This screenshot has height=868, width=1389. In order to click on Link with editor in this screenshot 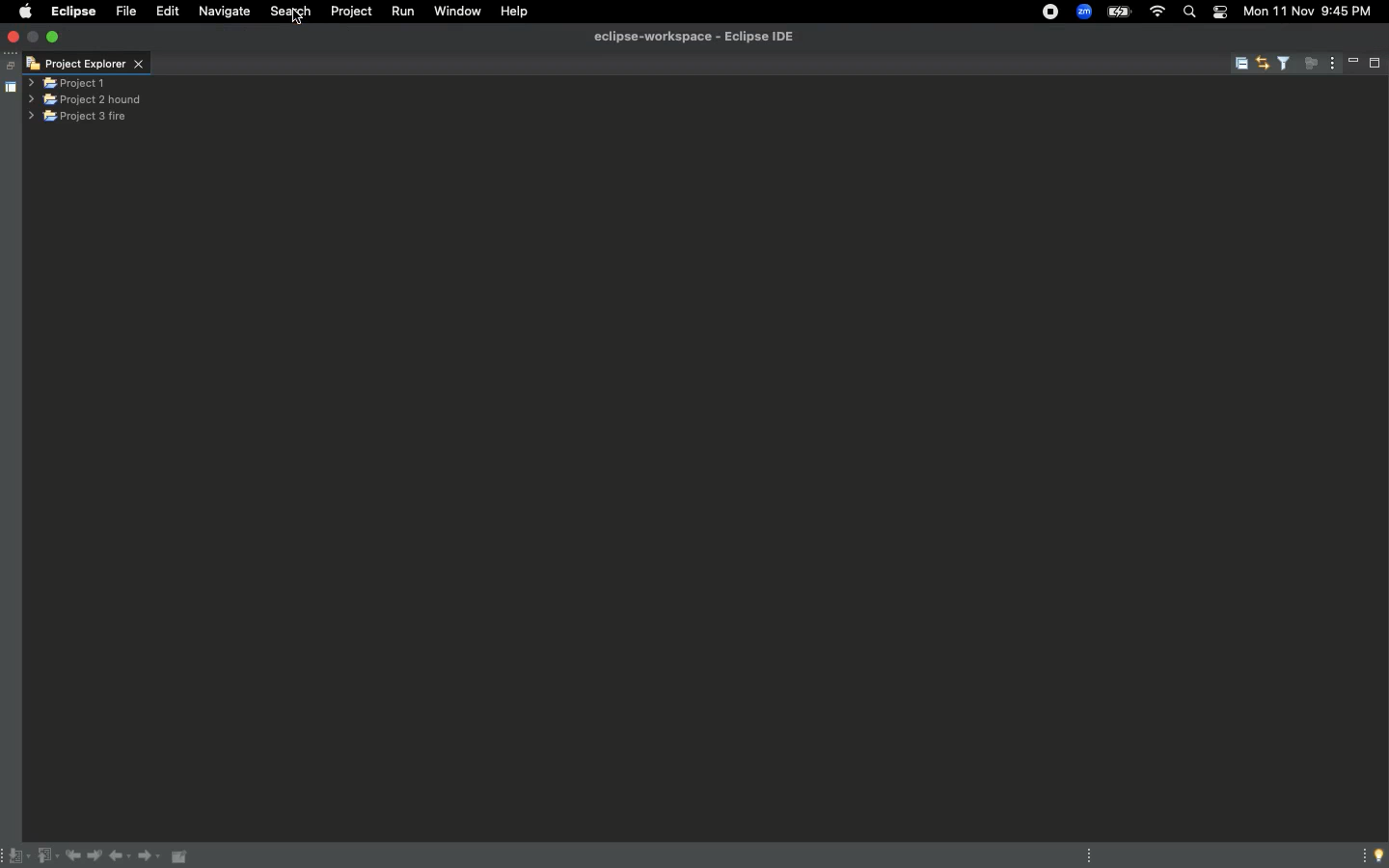, I will do `click(1261, 65)`.